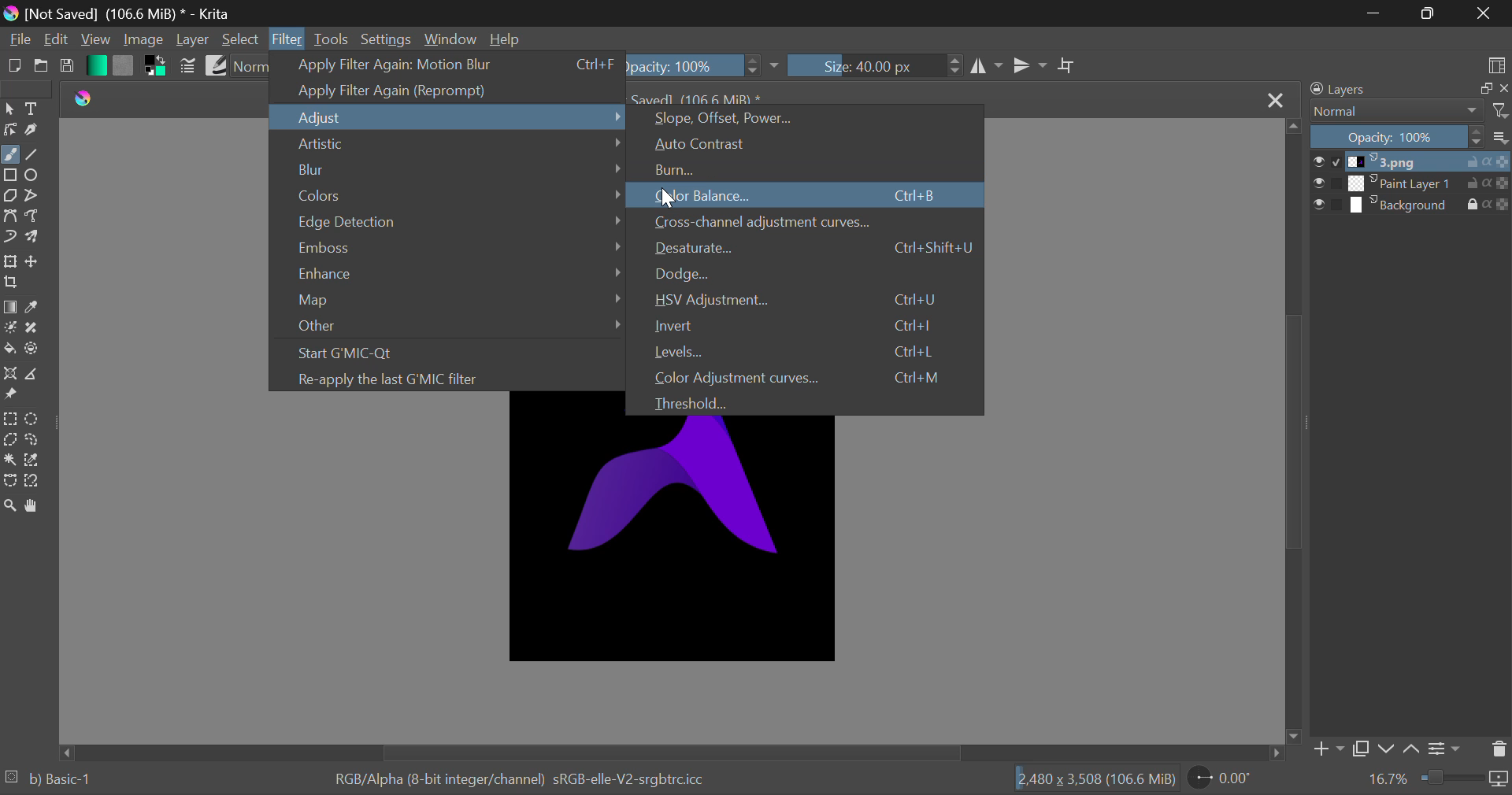 The height and width of the screenshot is (795, 1512). Describe the element at coordinates (36, 217) in the screenshot. I see `Freehand Path Tool` at that location.